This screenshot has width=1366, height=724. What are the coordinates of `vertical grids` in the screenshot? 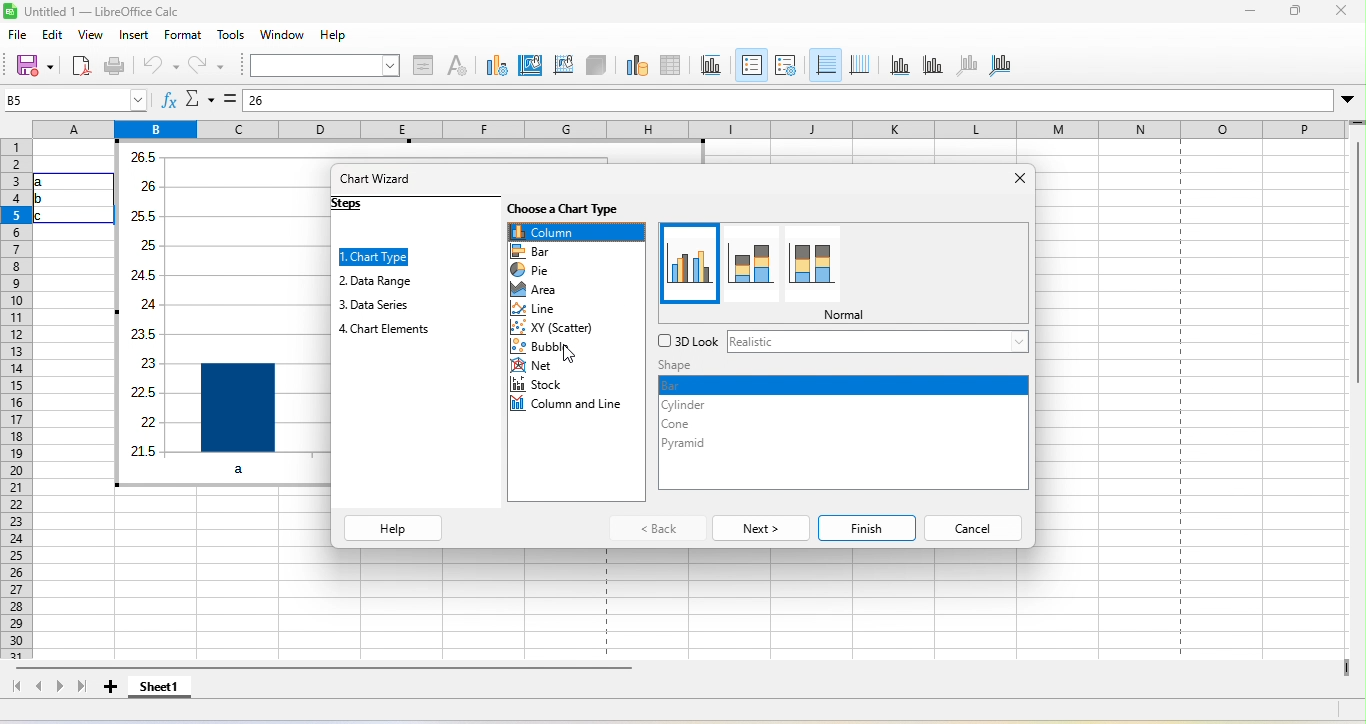 It's located at (860, 64).